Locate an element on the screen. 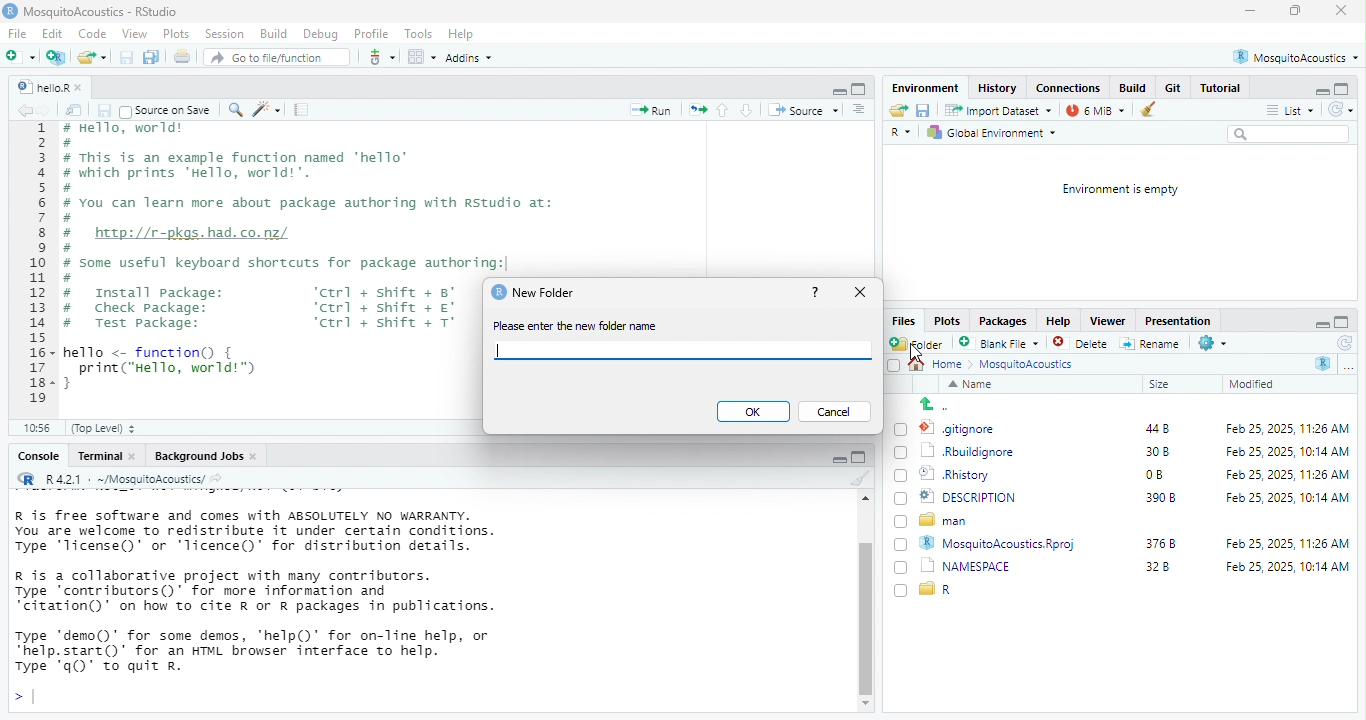 The image size is (1366, 720). home is located at coordinates (952, 365).